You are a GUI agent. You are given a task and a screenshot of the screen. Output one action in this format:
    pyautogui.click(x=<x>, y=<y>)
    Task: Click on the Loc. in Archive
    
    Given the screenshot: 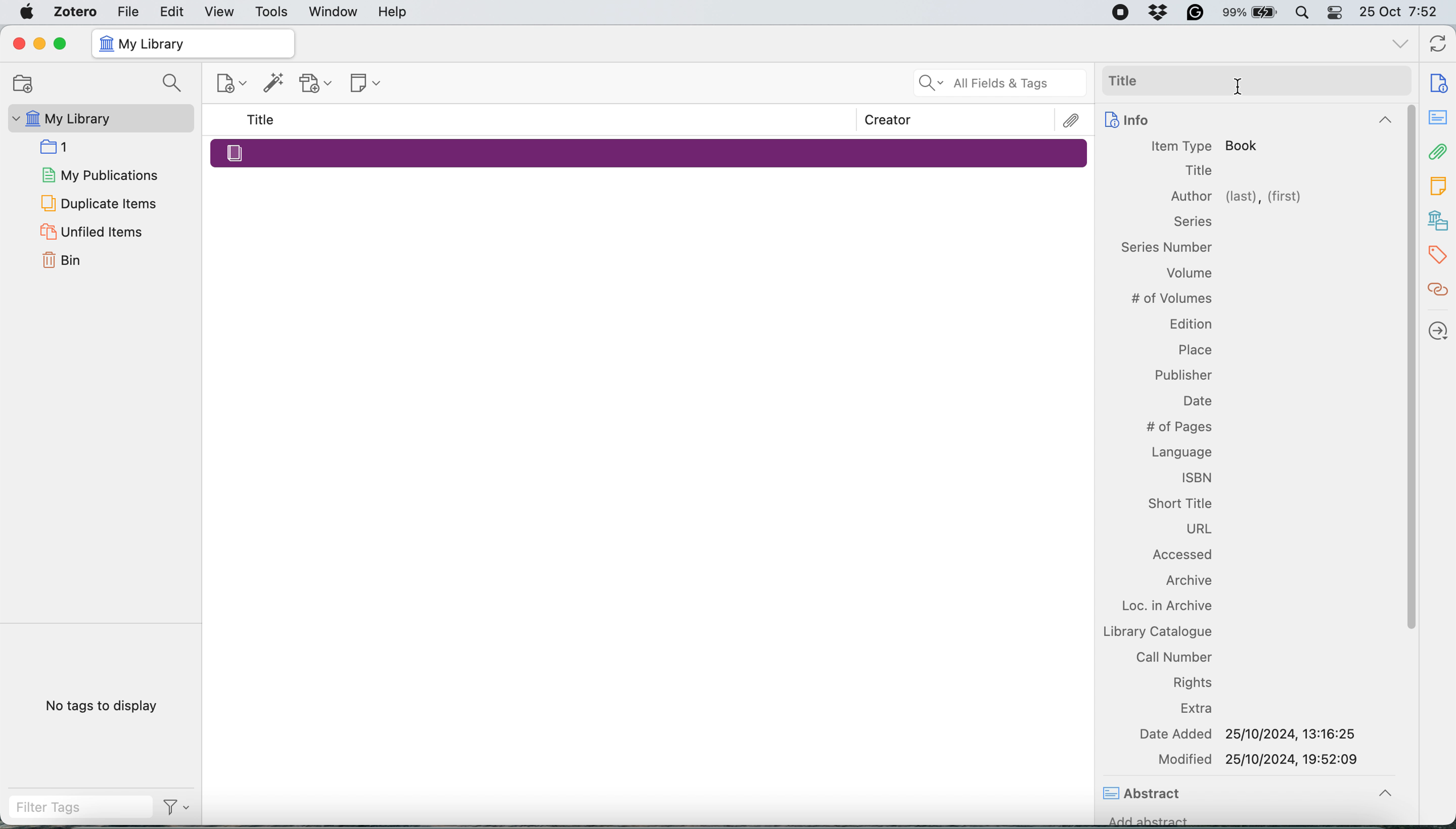 What is the action you would take?
    pyautogui.click(x=1159, y=606)
    